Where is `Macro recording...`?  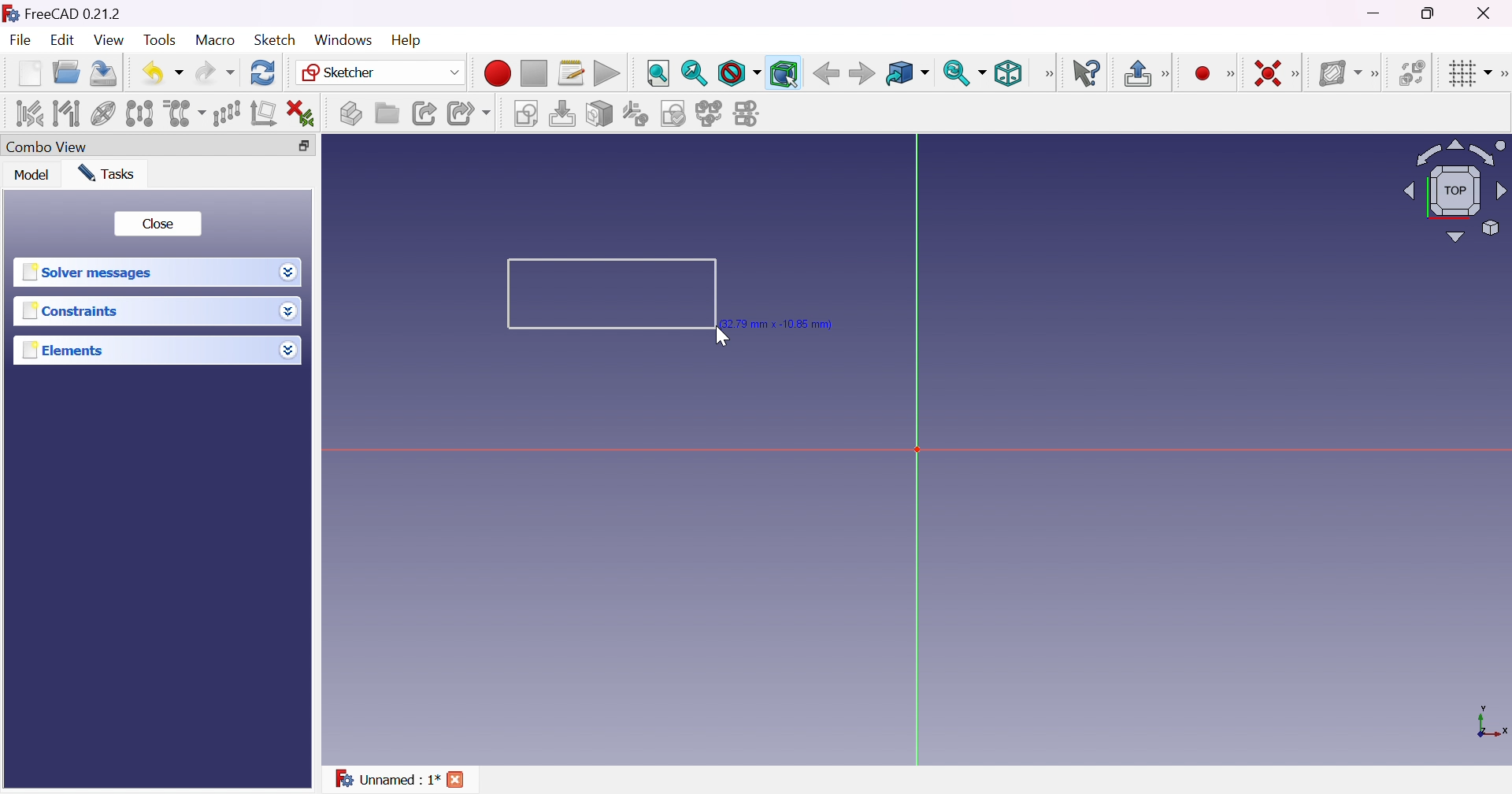 Macro recording... is located at coordinates (498, 72).